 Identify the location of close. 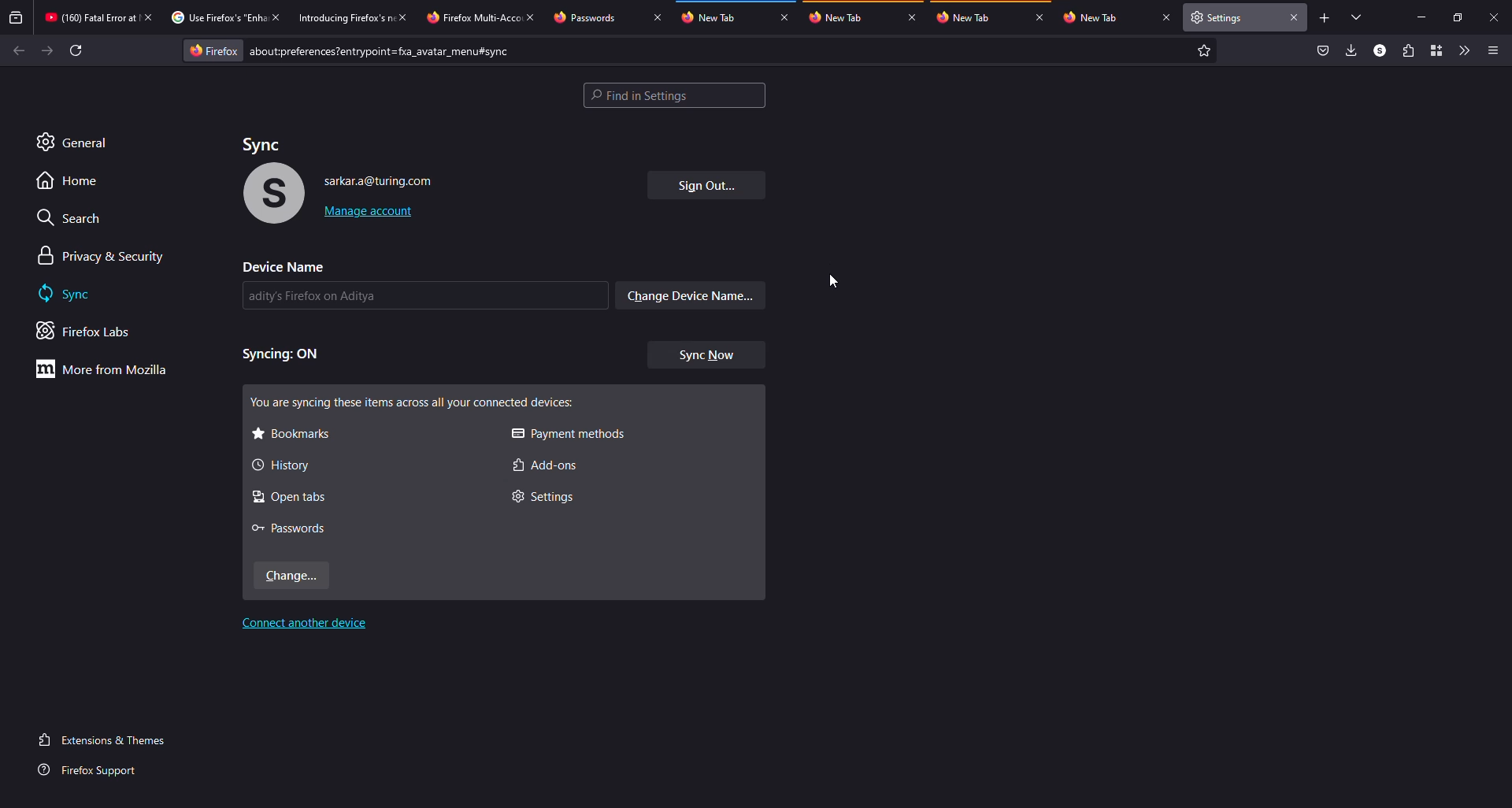
(1040, 18).